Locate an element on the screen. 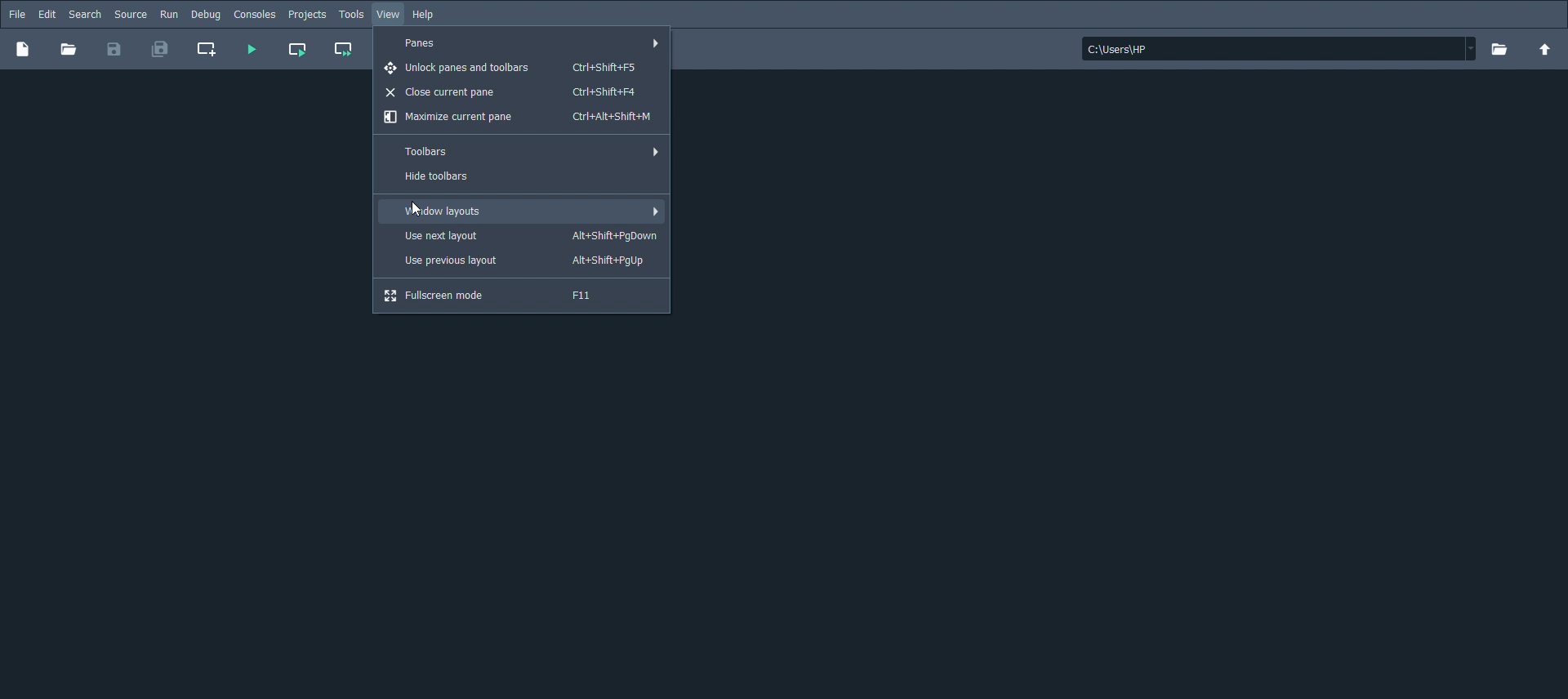 This screenshot has width=1568, height=699. Use previous layout is located at coordinates (526, 261).